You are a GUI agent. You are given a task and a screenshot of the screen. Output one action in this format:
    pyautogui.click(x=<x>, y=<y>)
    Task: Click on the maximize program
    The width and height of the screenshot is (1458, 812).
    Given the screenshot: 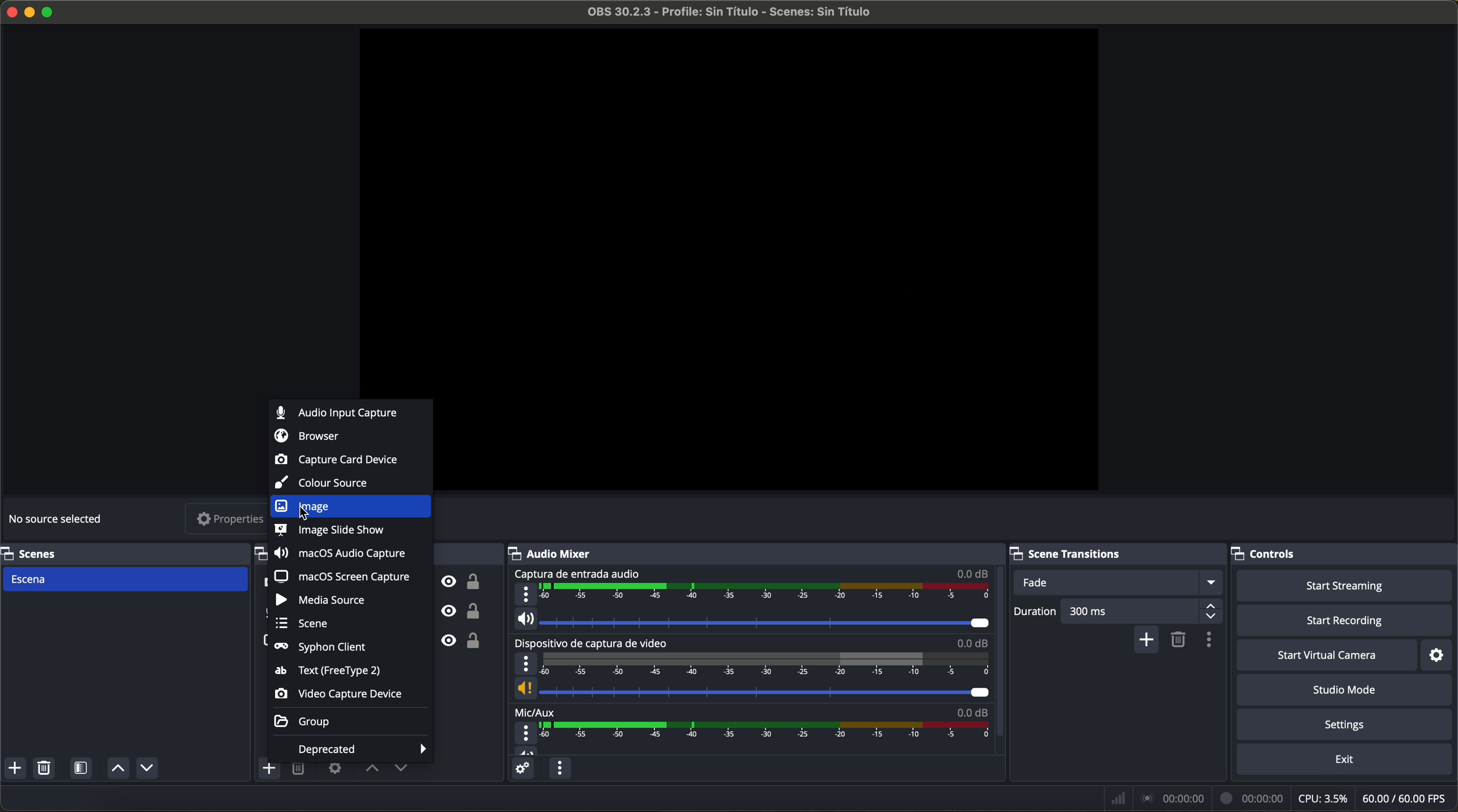 What is the action you would take?
    pyautogui.click(x=50, y=11)
    